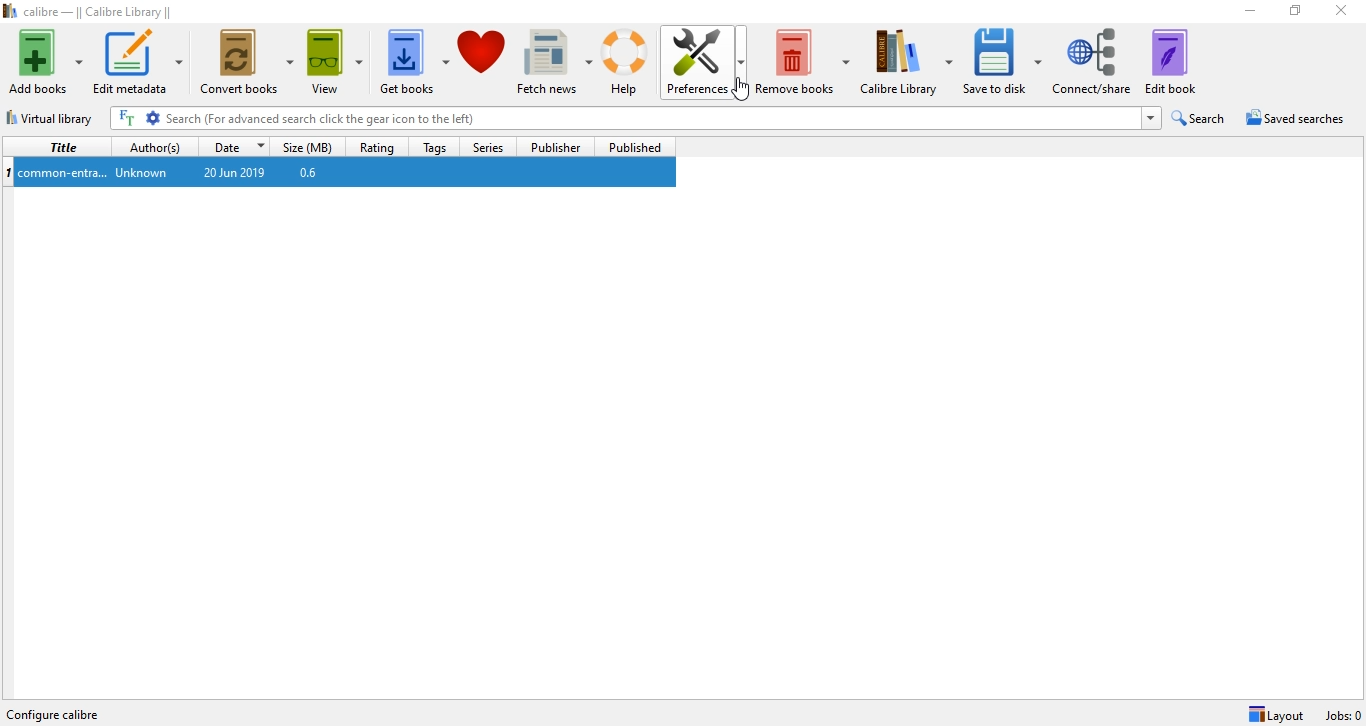  What do you see at coordinates (338, 173) in the screenshot?
I see `one book entry` at bounding box center [338, 173].